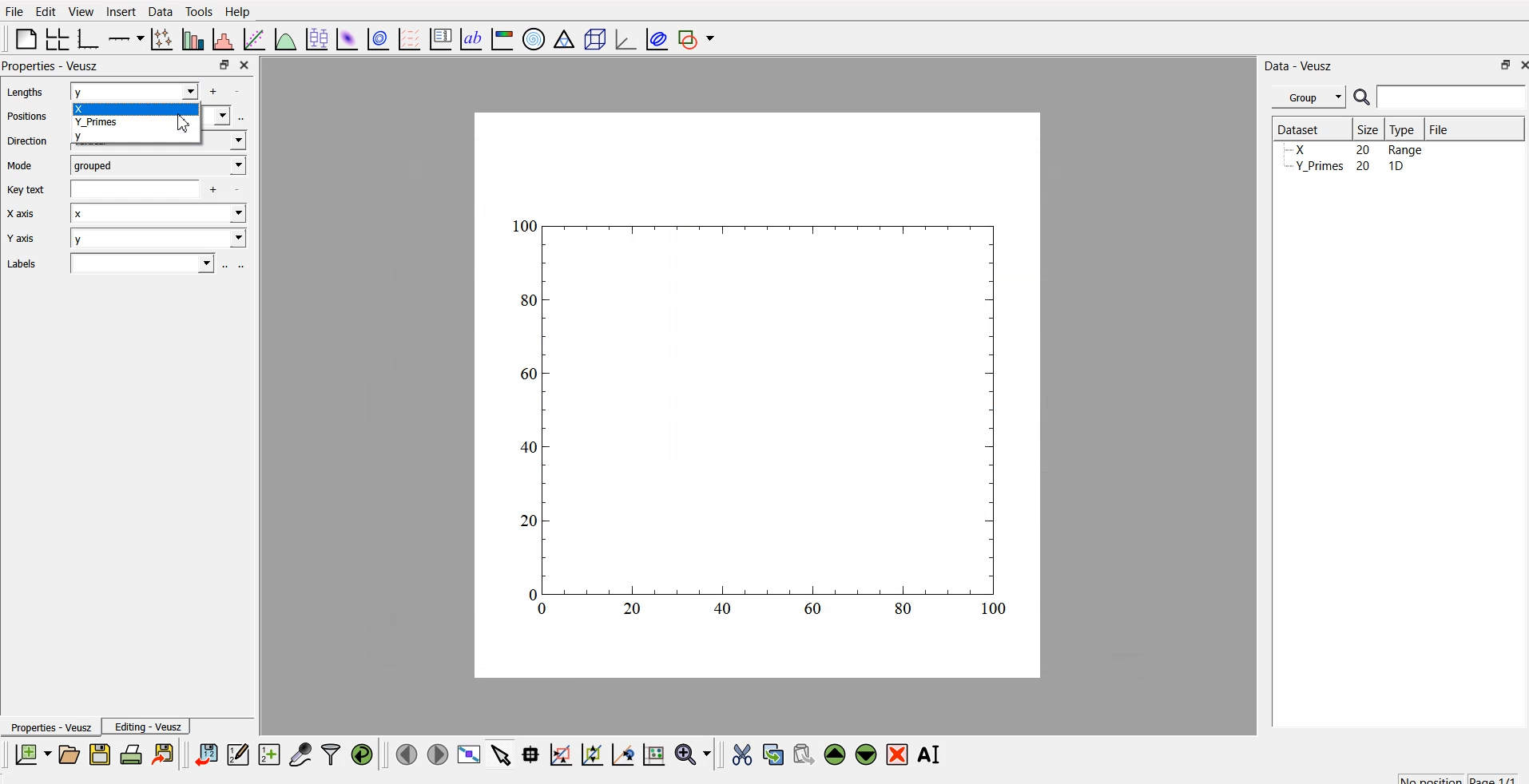 The width and height of the screenshot is (1529, 784). I want to click on Y axis y, so click(129, 240).